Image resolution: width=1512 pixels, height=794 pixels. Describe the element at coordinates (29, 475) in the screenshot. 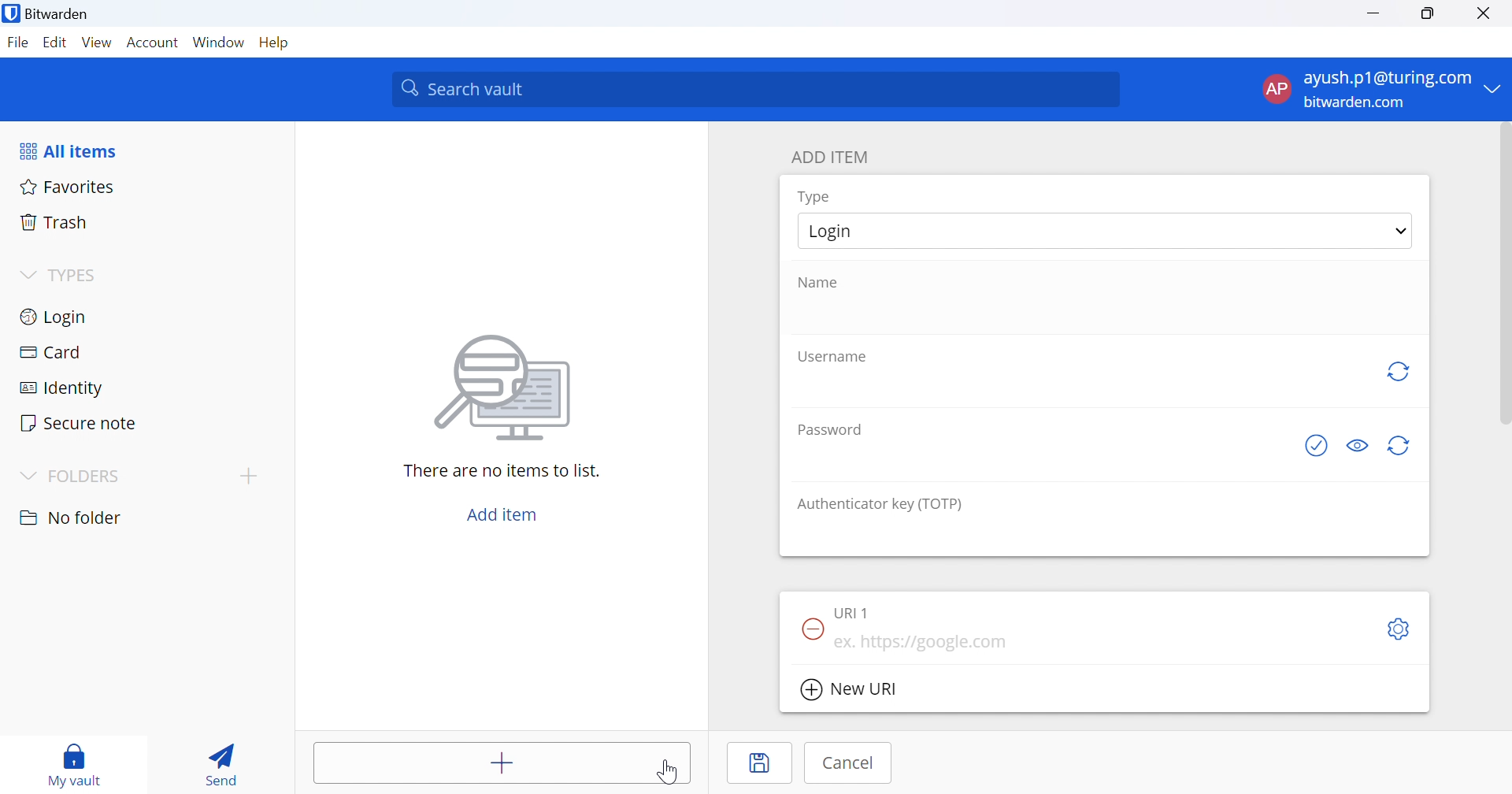

I see `Drop Down` at that location.